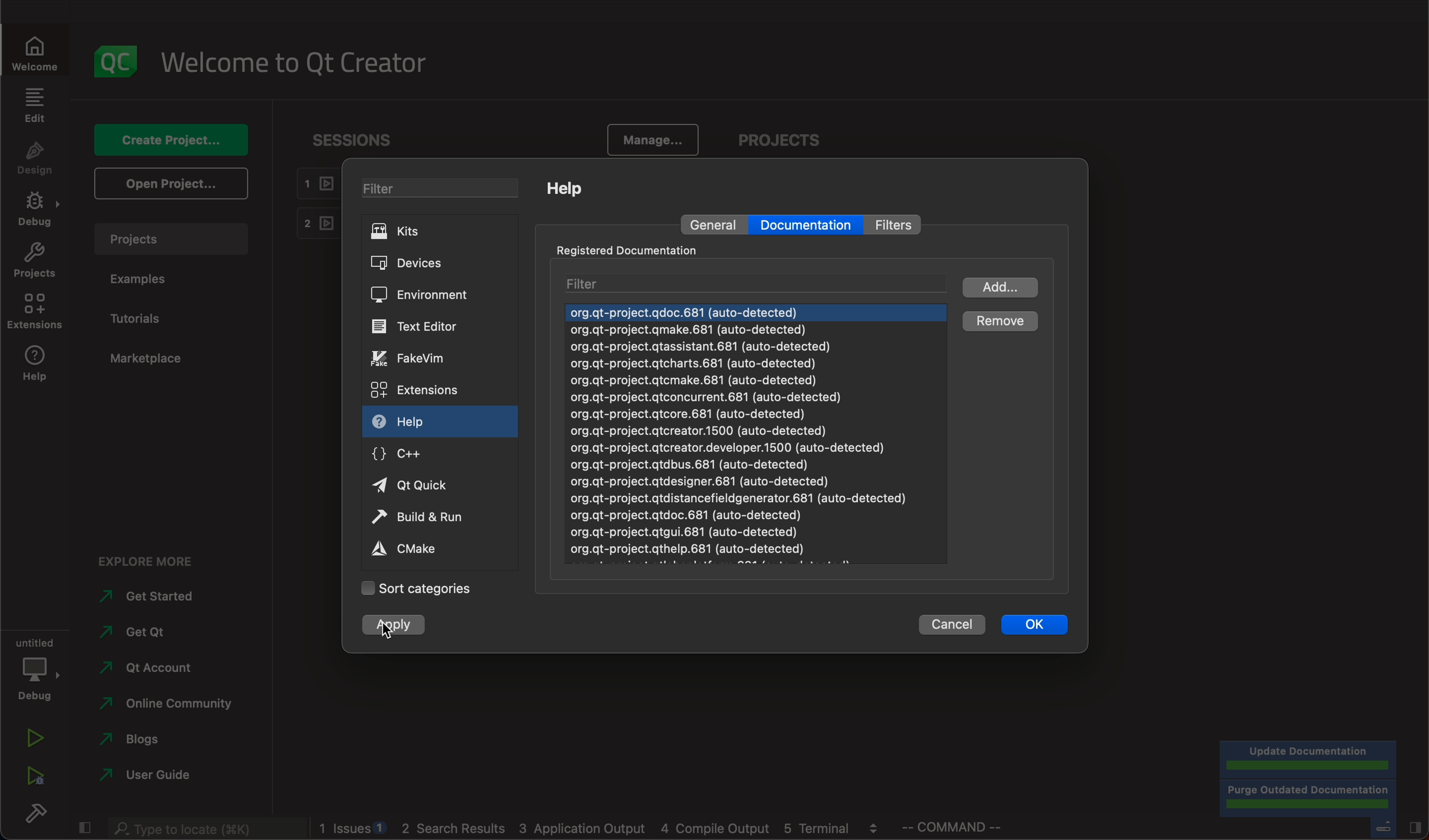  I want to click on cursor, so click(408, 627).